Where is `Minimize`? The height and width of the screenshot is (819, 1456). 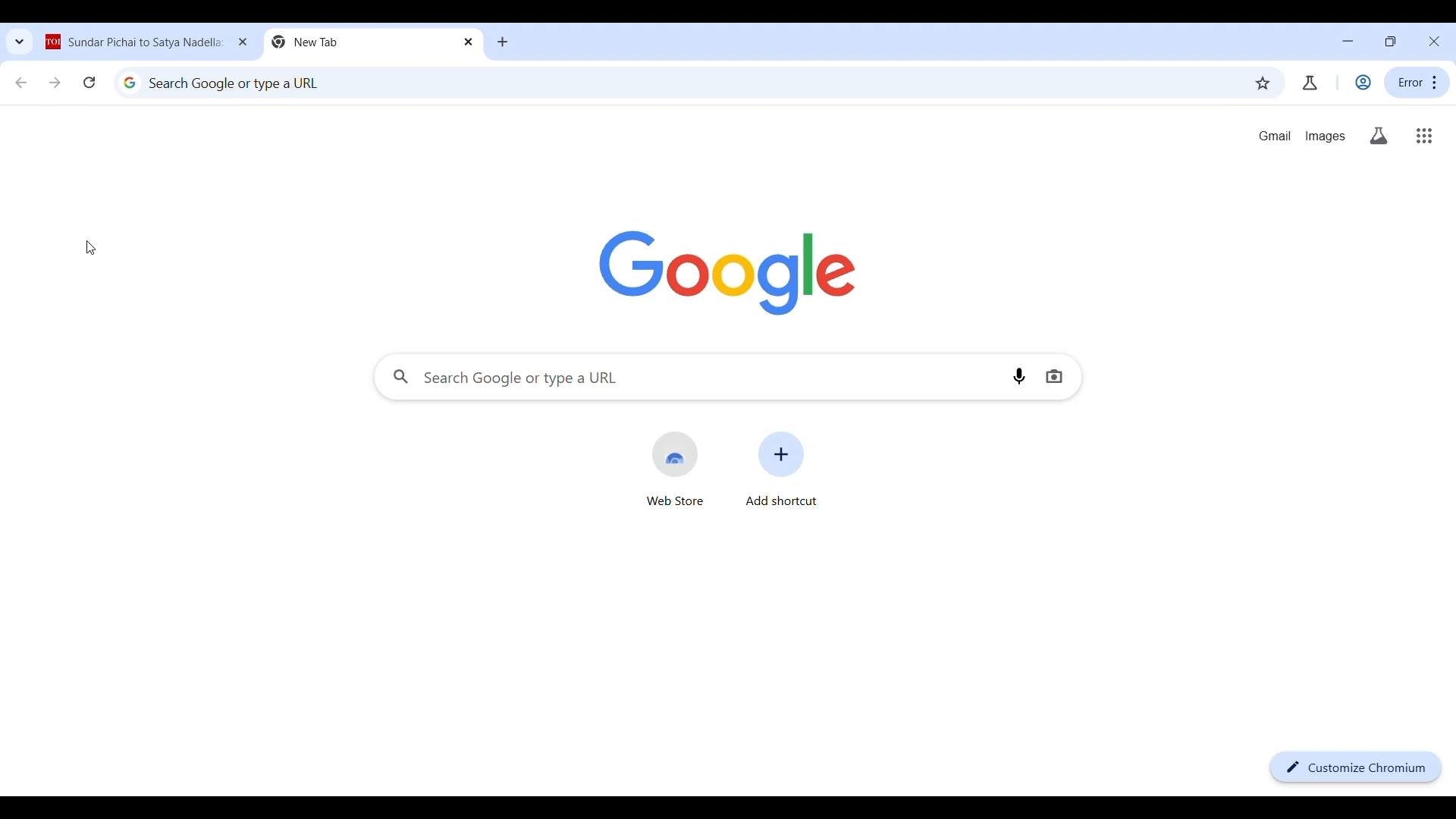
Minimize is located at coordinates (1348, 41).